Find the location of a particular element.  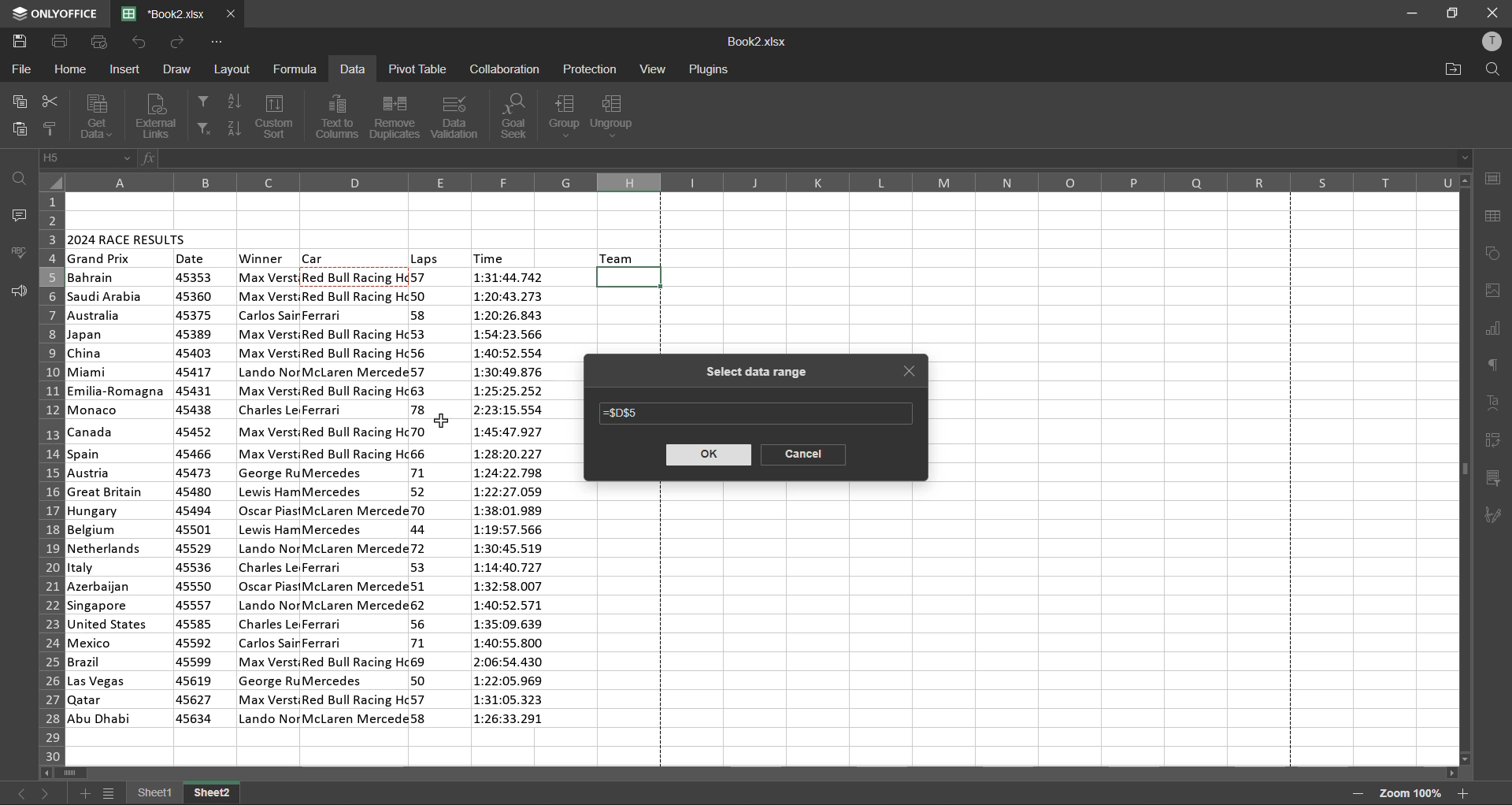

laps is located at coordinates (424, 258).